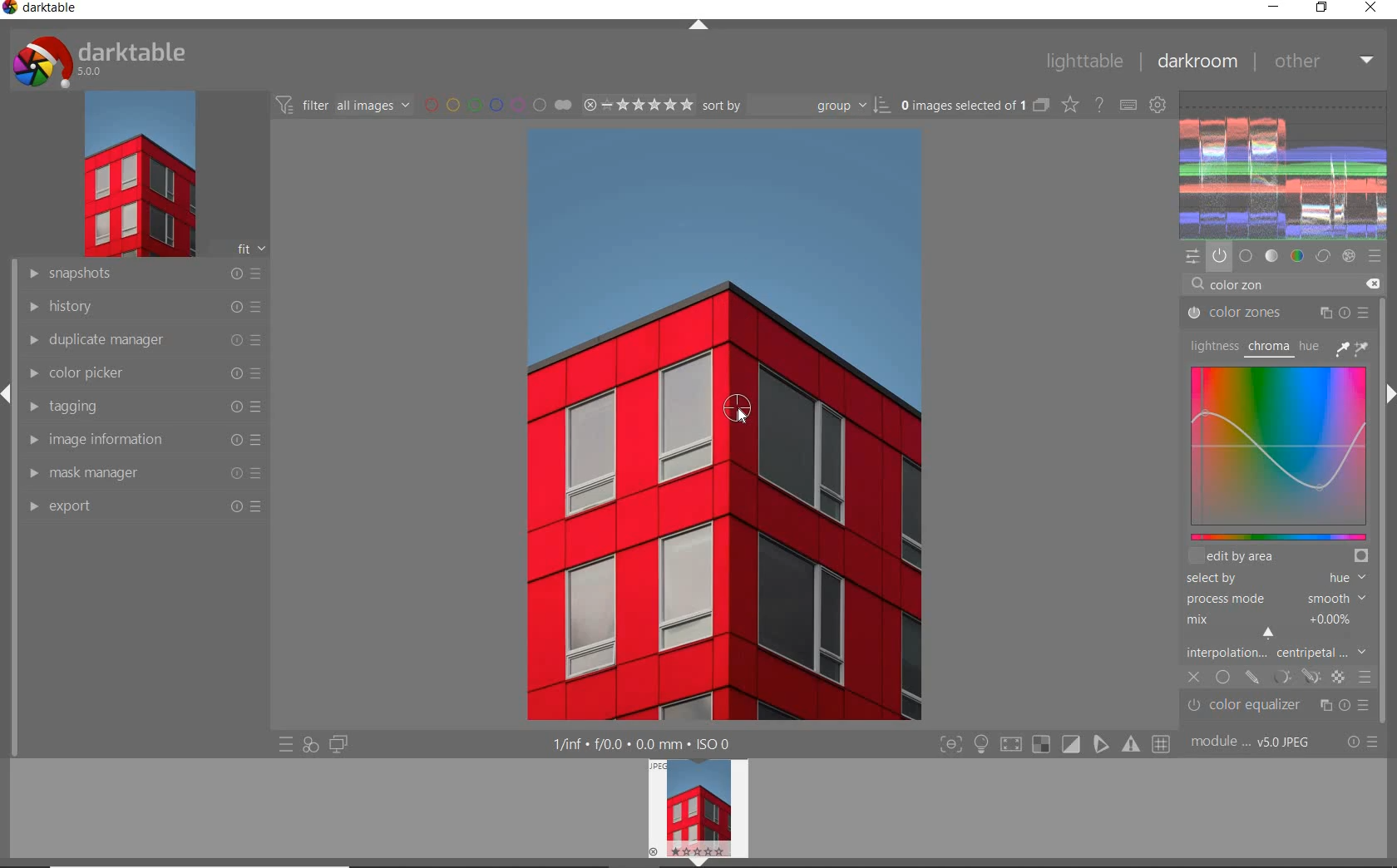 This screenshot has height=868, width=1397. Describe the element at coordinates (983, 747) in the screenshot. I see `highlight` at that location.